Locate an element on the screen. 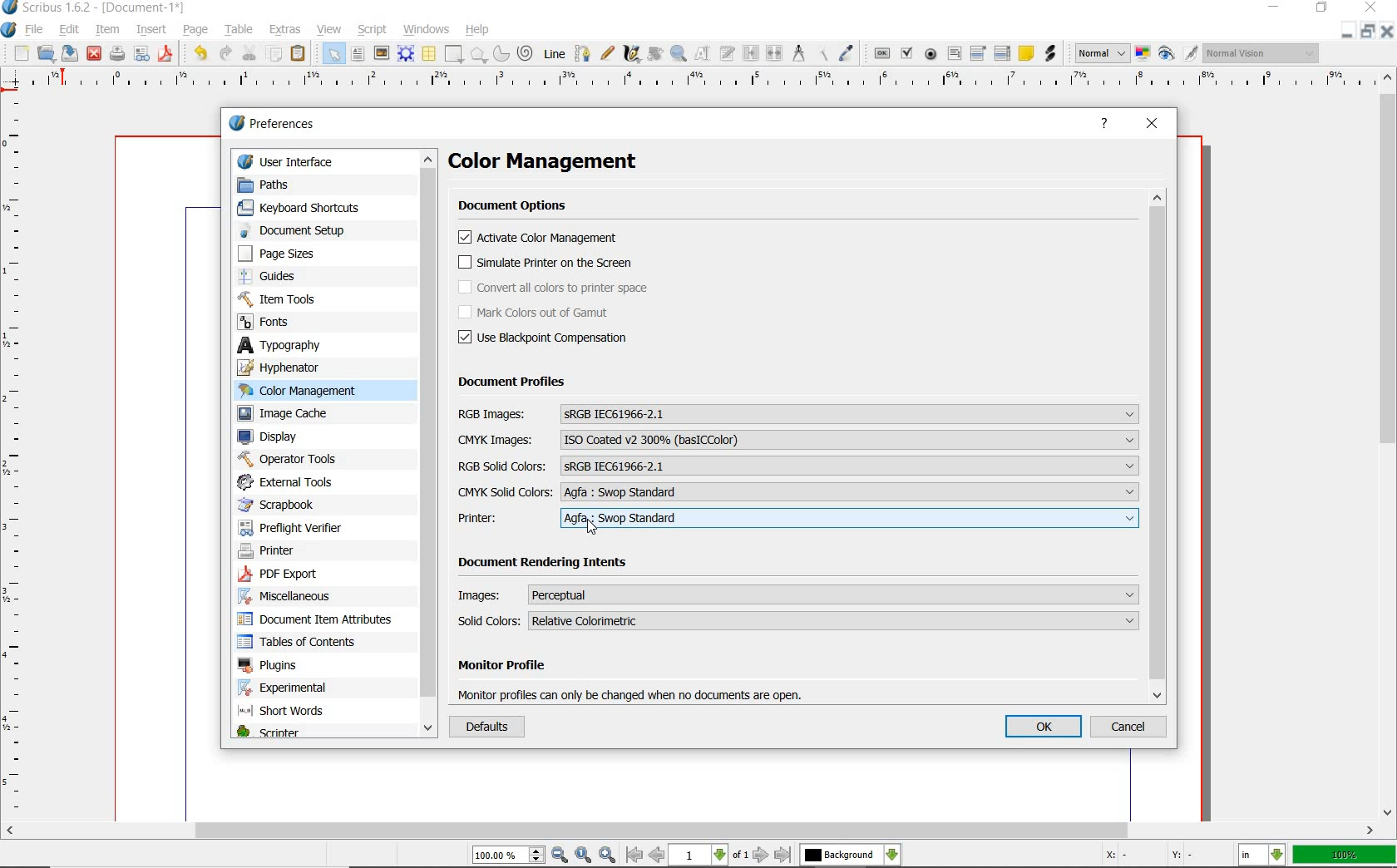  page is located at coordinates (197, 31).